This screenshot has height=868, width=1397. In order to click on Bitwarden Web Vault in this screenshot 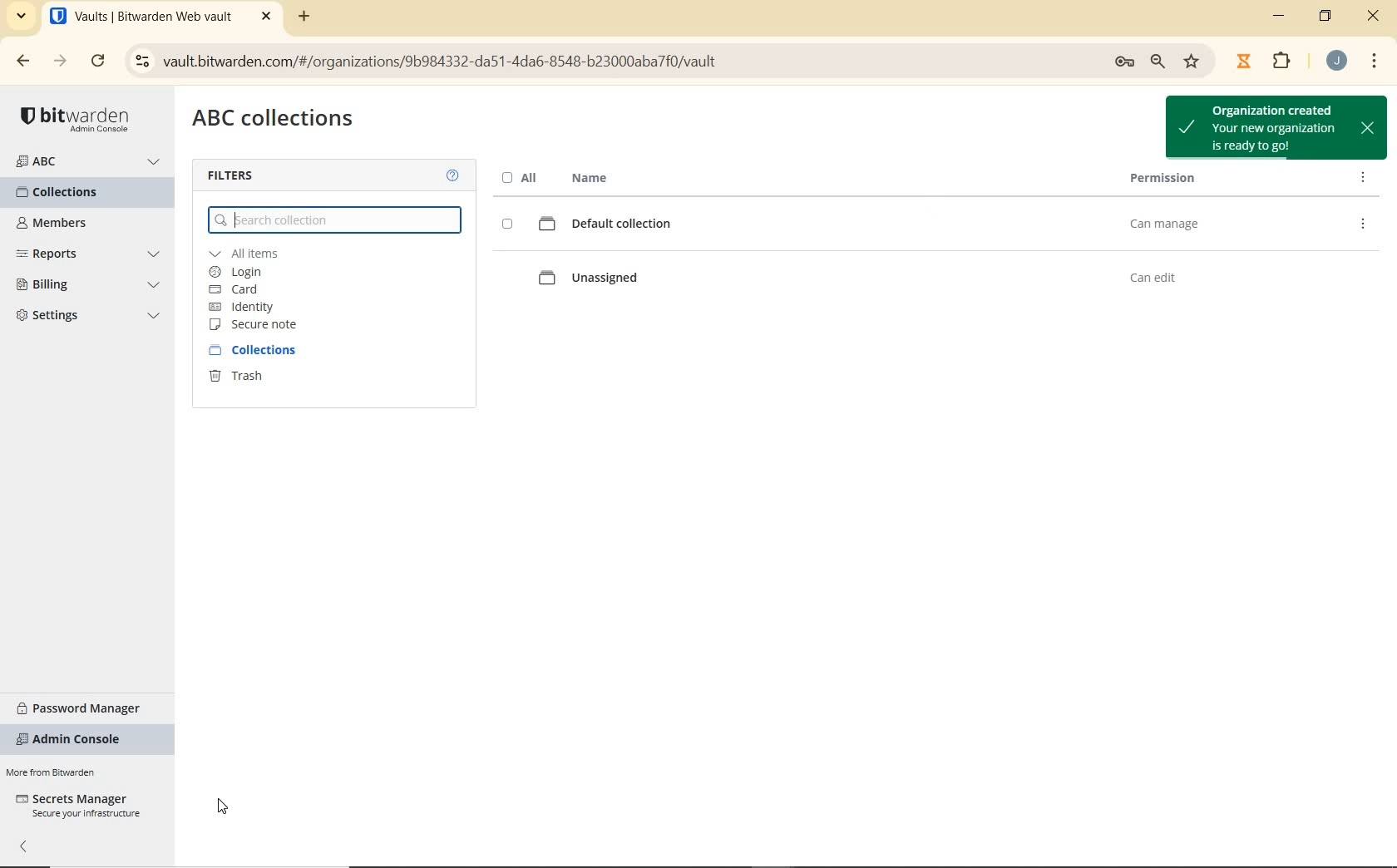, I will do `click(160, 18)`.